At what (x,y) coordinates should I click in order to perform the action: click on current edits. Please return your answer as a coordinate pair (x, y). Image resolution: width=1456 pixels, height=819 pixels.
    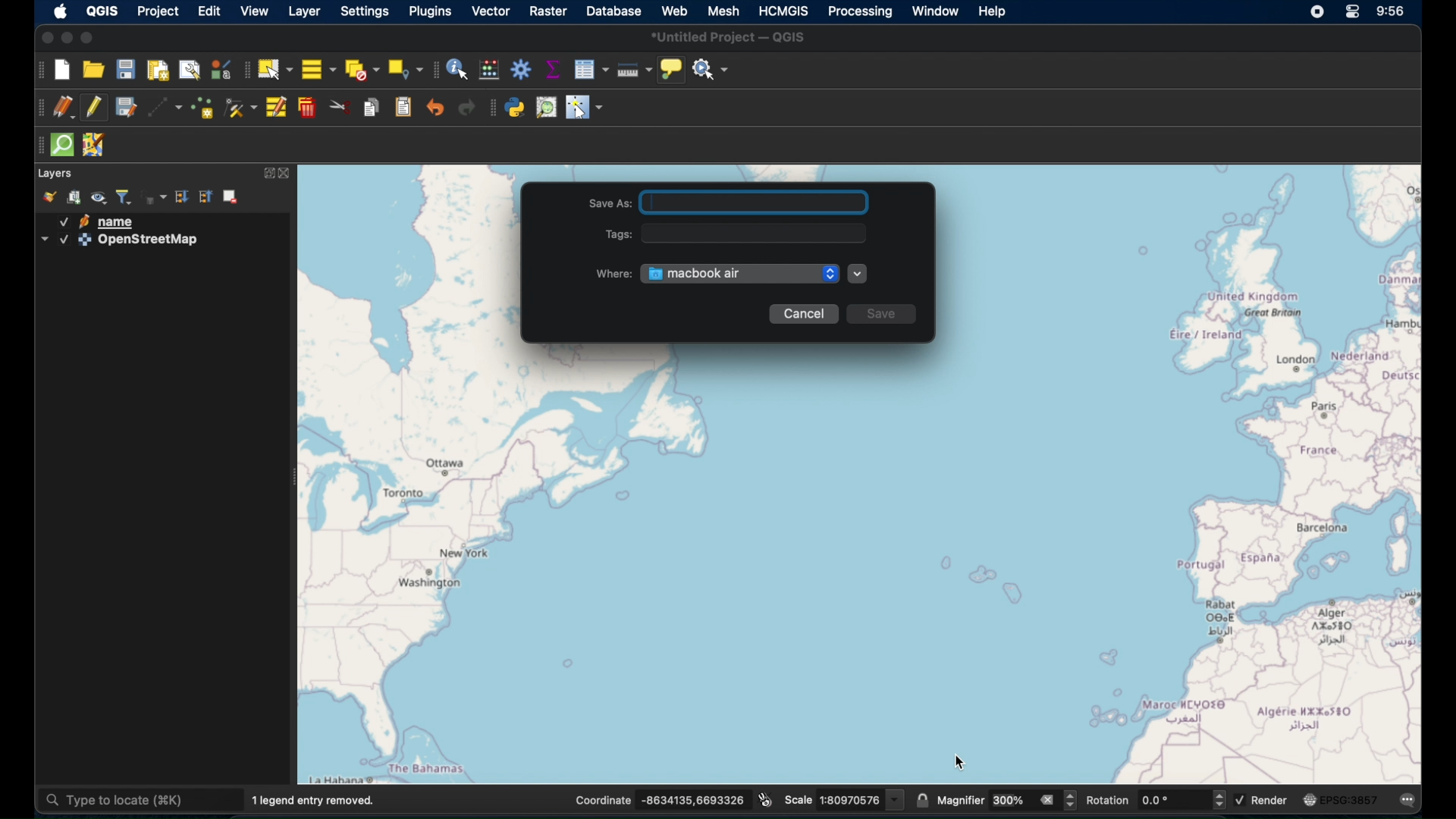
    Looking at the image, I should click on (64, 108).